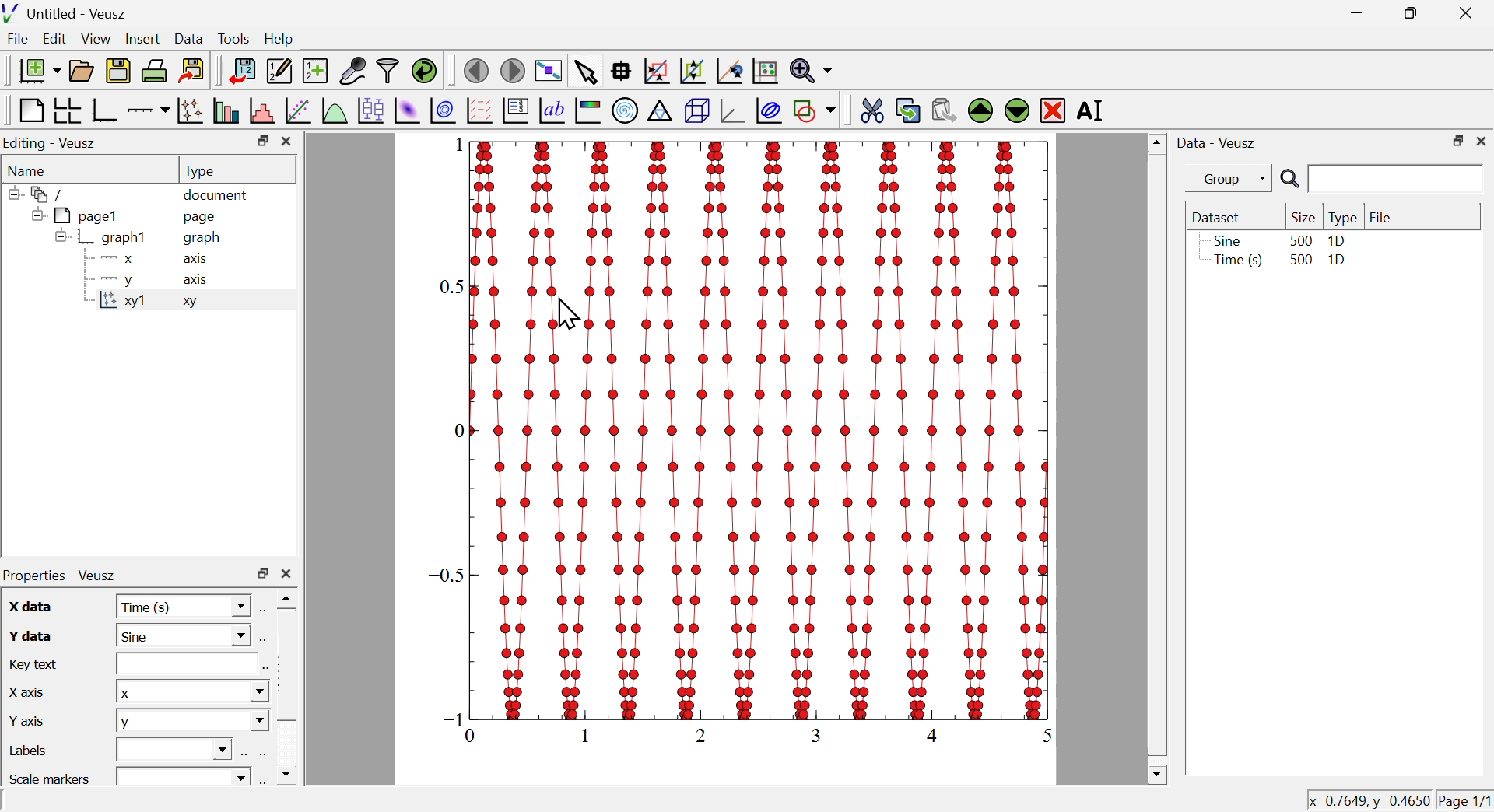 The height and width of the screenshot is (812, 1494). Describe the element at coordinates (103, 238) in the screenshot. I see `graph1` at that location.